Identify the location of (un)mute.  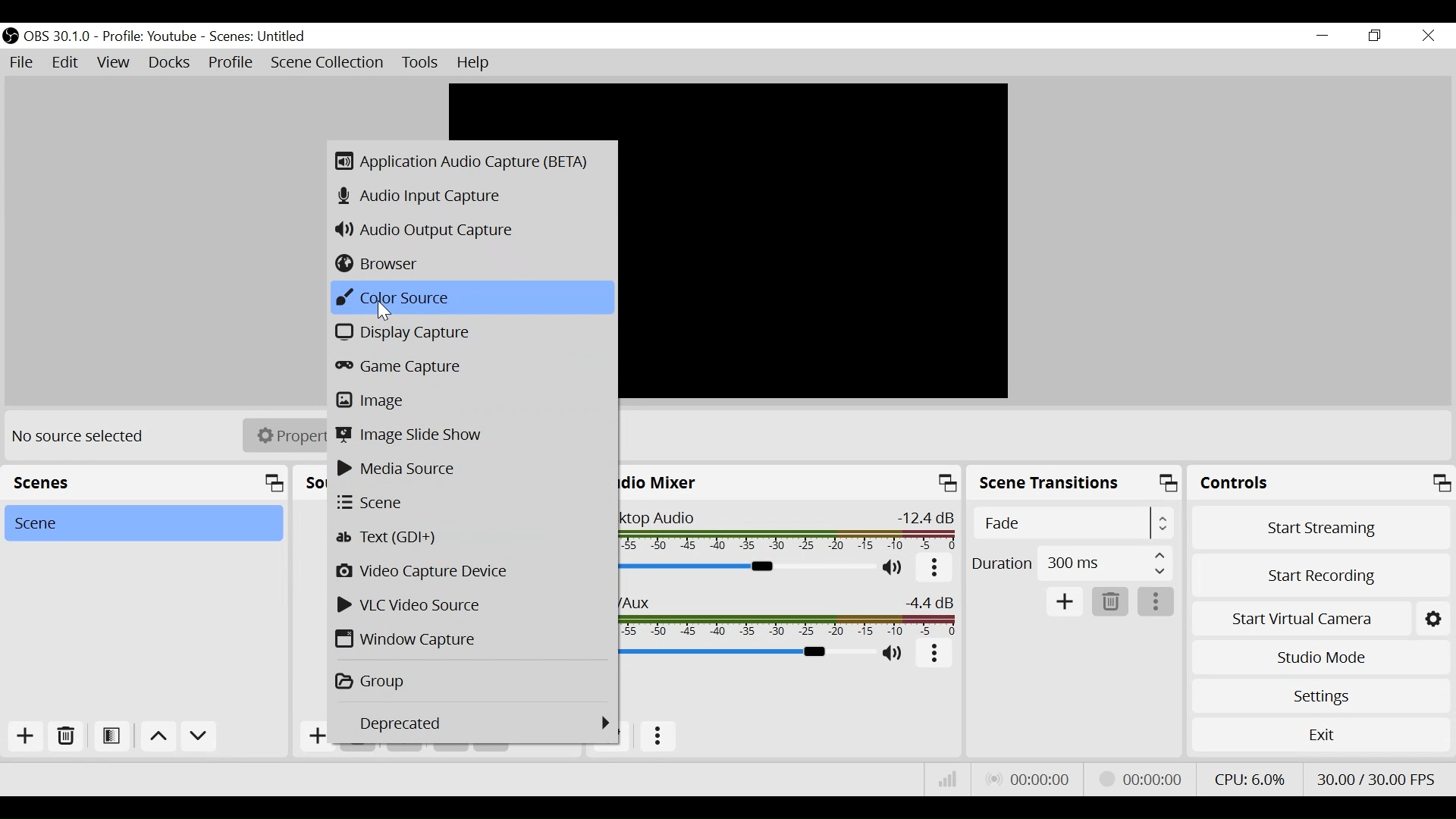
(896, 569).